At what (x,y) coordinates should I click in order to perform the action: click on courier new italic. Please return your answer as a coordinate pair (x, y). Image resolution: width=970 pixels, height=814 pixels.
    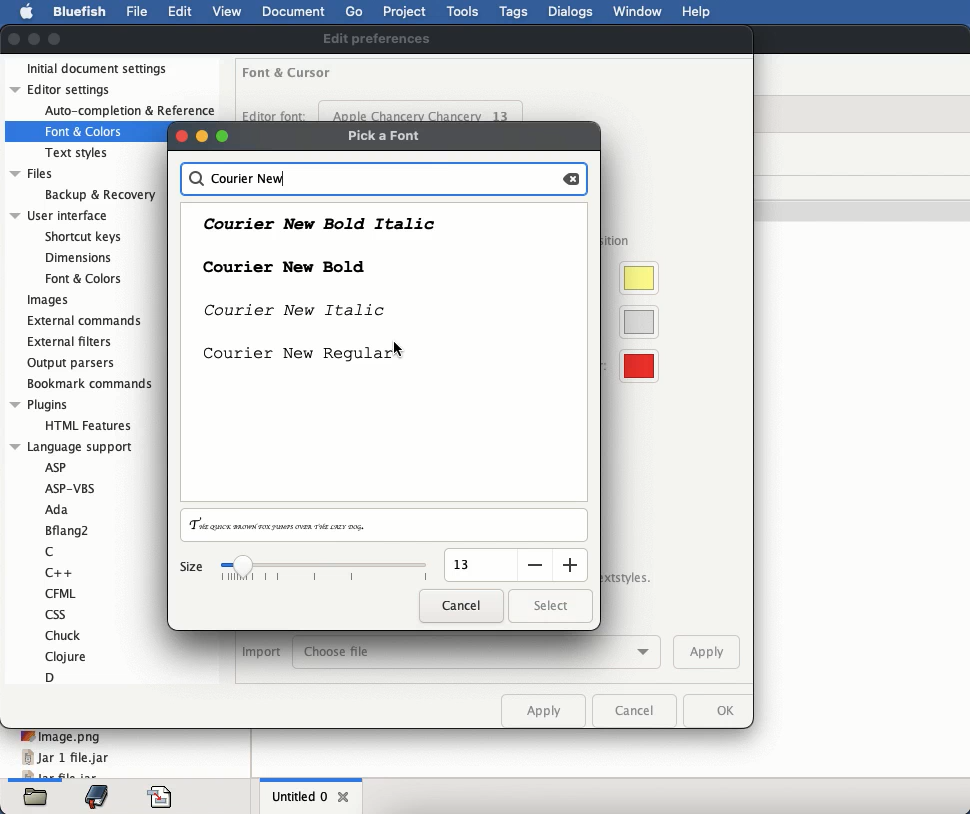
    Looking at the image, I should click on (304, 310).